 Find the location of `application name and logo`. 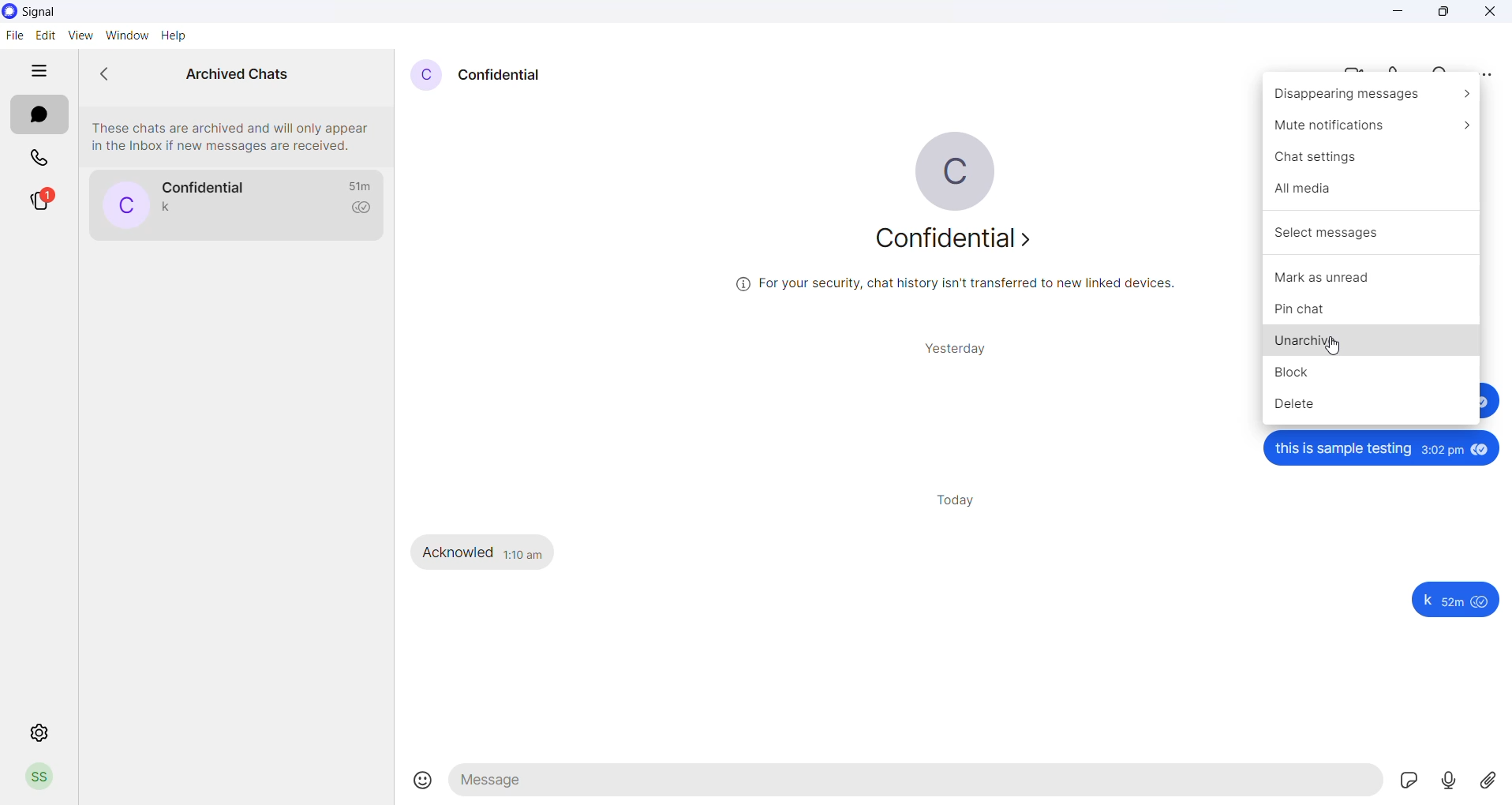

application name and logo is located at coordinates (50, 12).